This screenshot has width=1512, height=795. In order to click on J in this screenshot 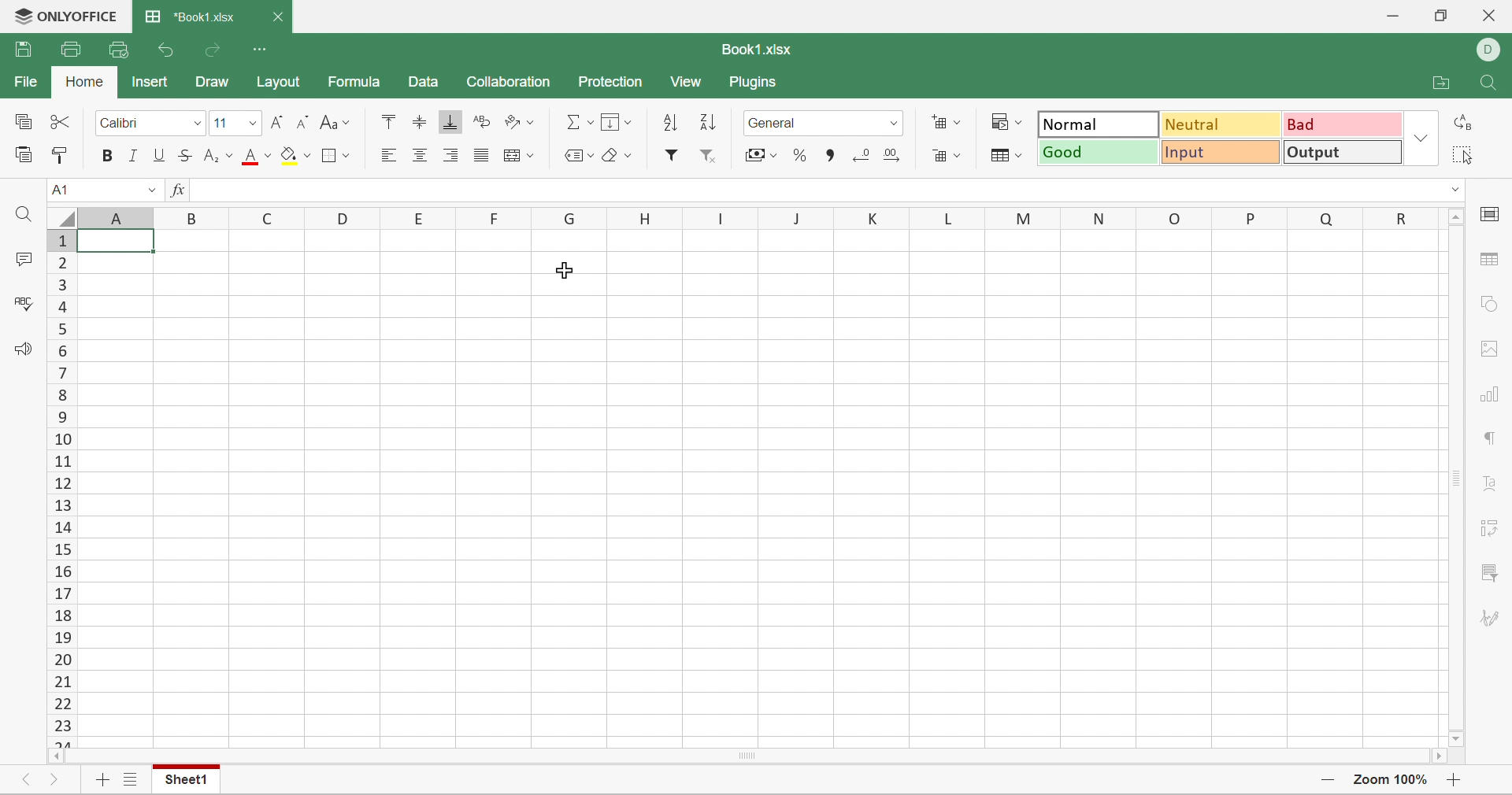, I will do `click(793, 216)`.